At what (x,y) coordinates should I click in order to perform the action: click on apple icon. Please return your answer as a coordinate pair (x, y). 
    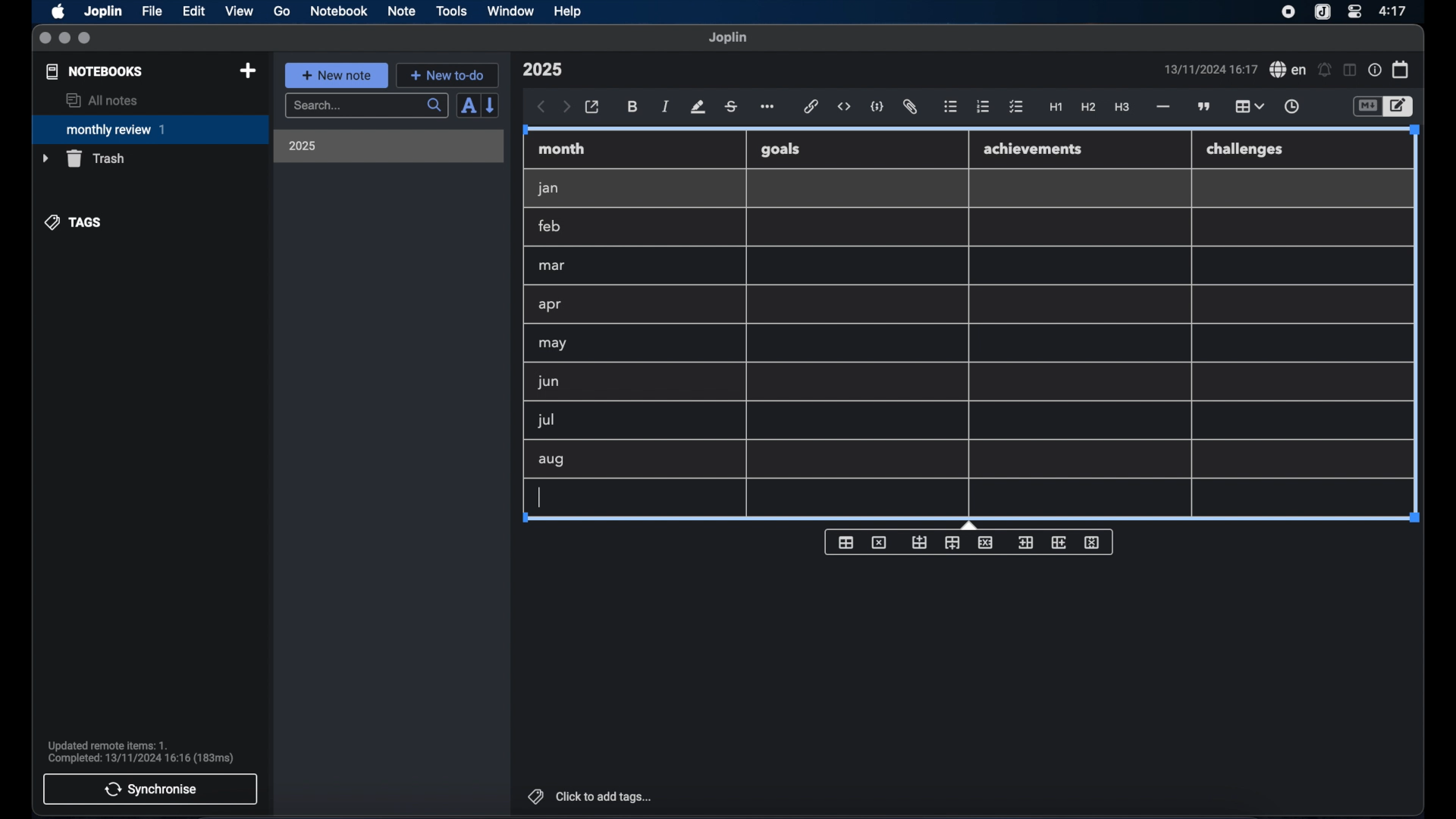
    Looking at the image, I should click on (57, 11).